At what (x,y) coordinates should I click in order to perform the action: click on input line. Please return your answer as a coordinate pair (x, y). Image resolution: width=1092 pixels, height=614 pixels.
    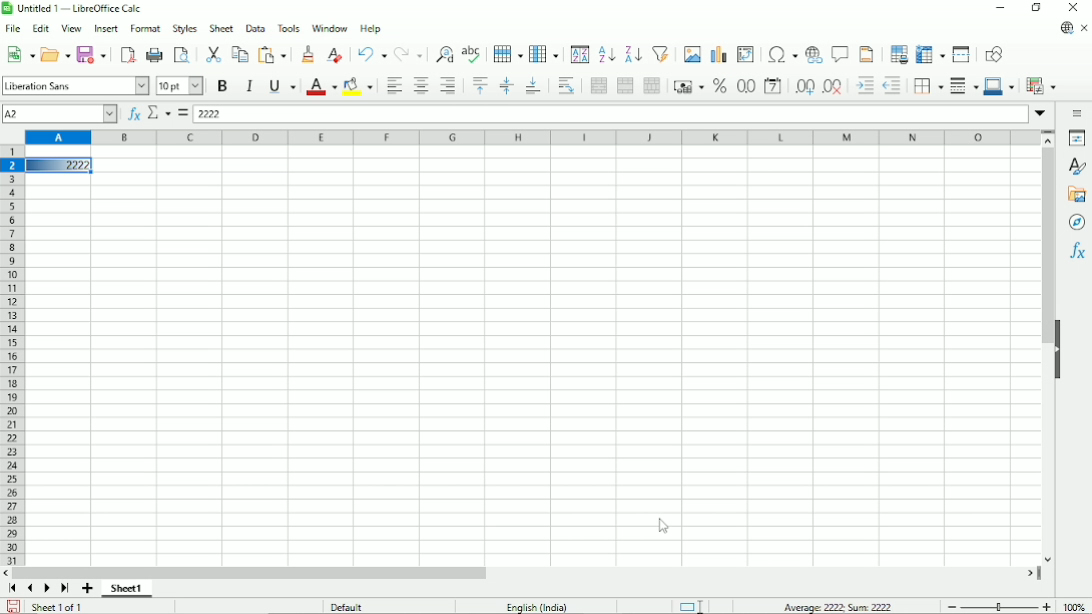
    Looking at the image, I should click on (611, 114).